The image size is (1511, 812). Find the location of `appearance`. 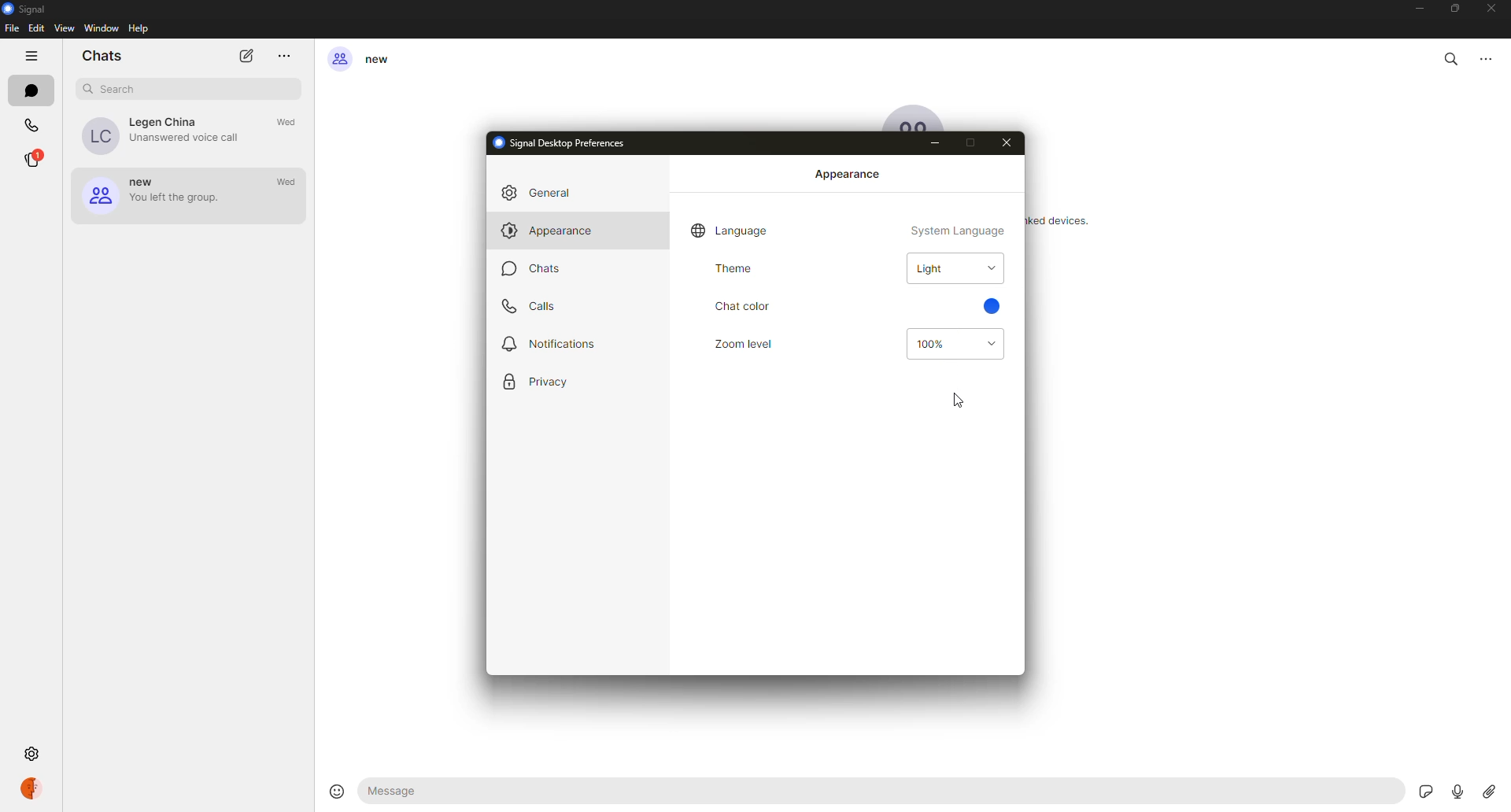

appearance is located at coordinates (549, 232).